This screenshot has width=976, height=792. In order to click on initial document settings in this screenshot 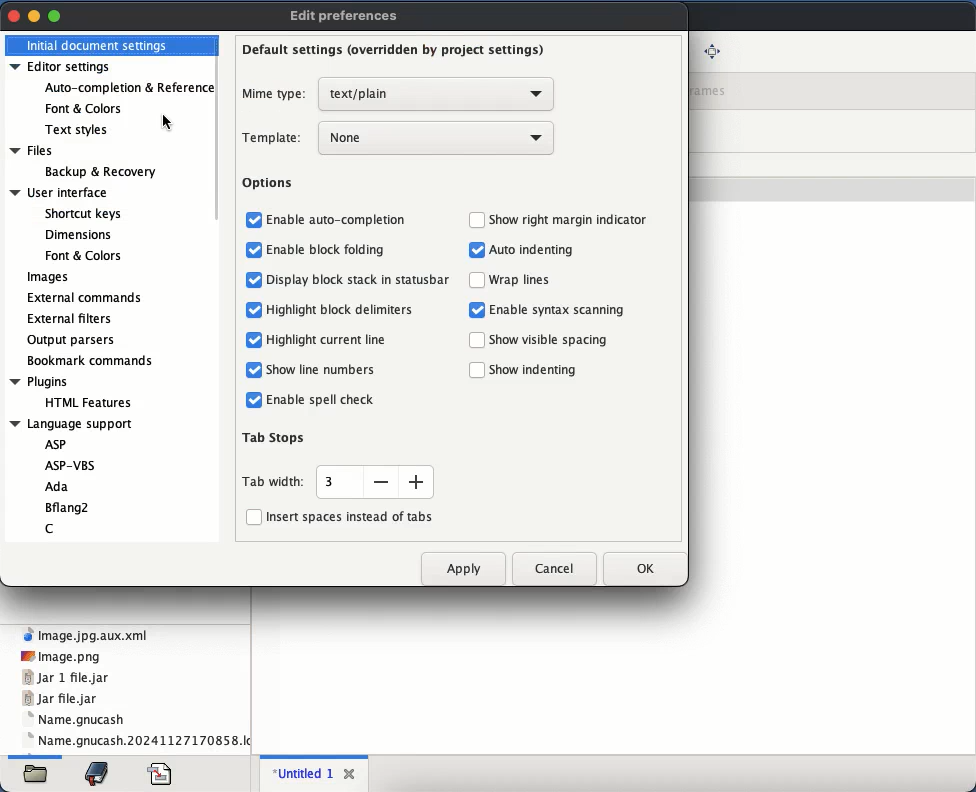, I will do `click(101, 44)`.